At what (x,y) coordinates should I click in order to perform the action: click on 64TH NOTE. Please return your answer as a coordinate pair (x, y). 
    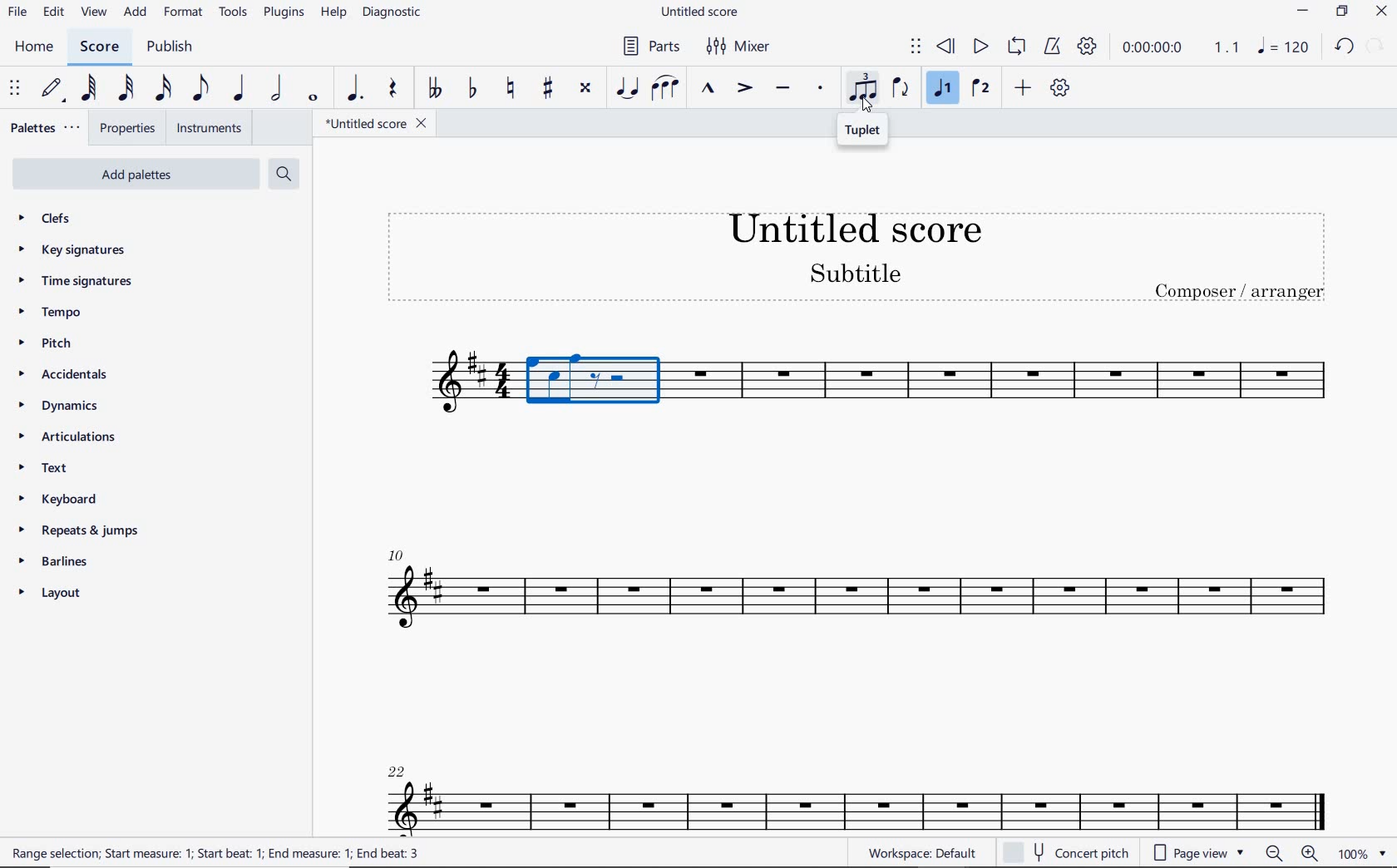
    Looking at the image, I should click on (89, 87).